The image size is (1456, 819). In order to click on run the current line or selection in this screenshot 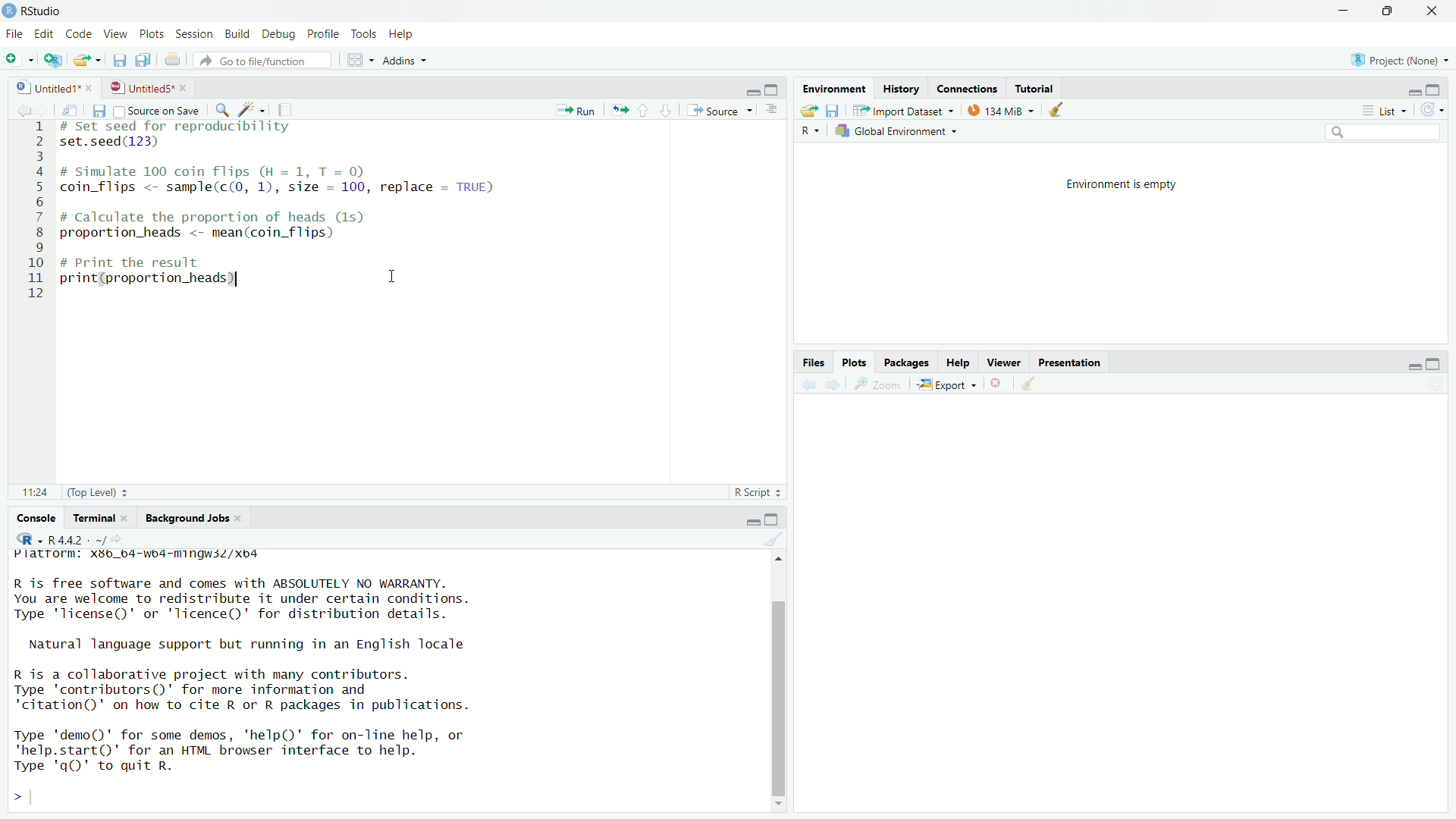, I will do `click(578, 109)`.